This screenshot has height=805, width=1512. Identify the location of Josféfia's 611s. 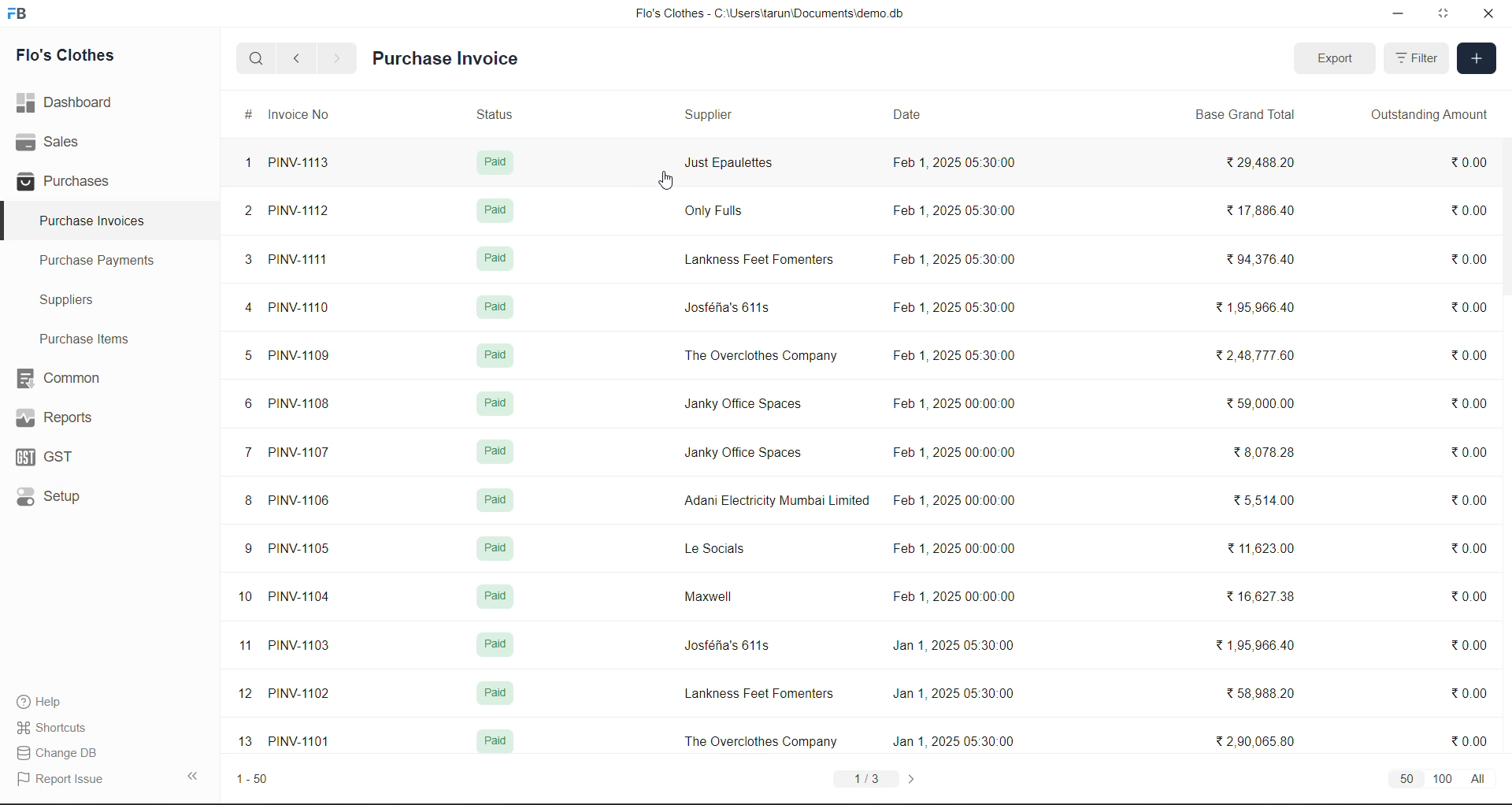
(727, 647).